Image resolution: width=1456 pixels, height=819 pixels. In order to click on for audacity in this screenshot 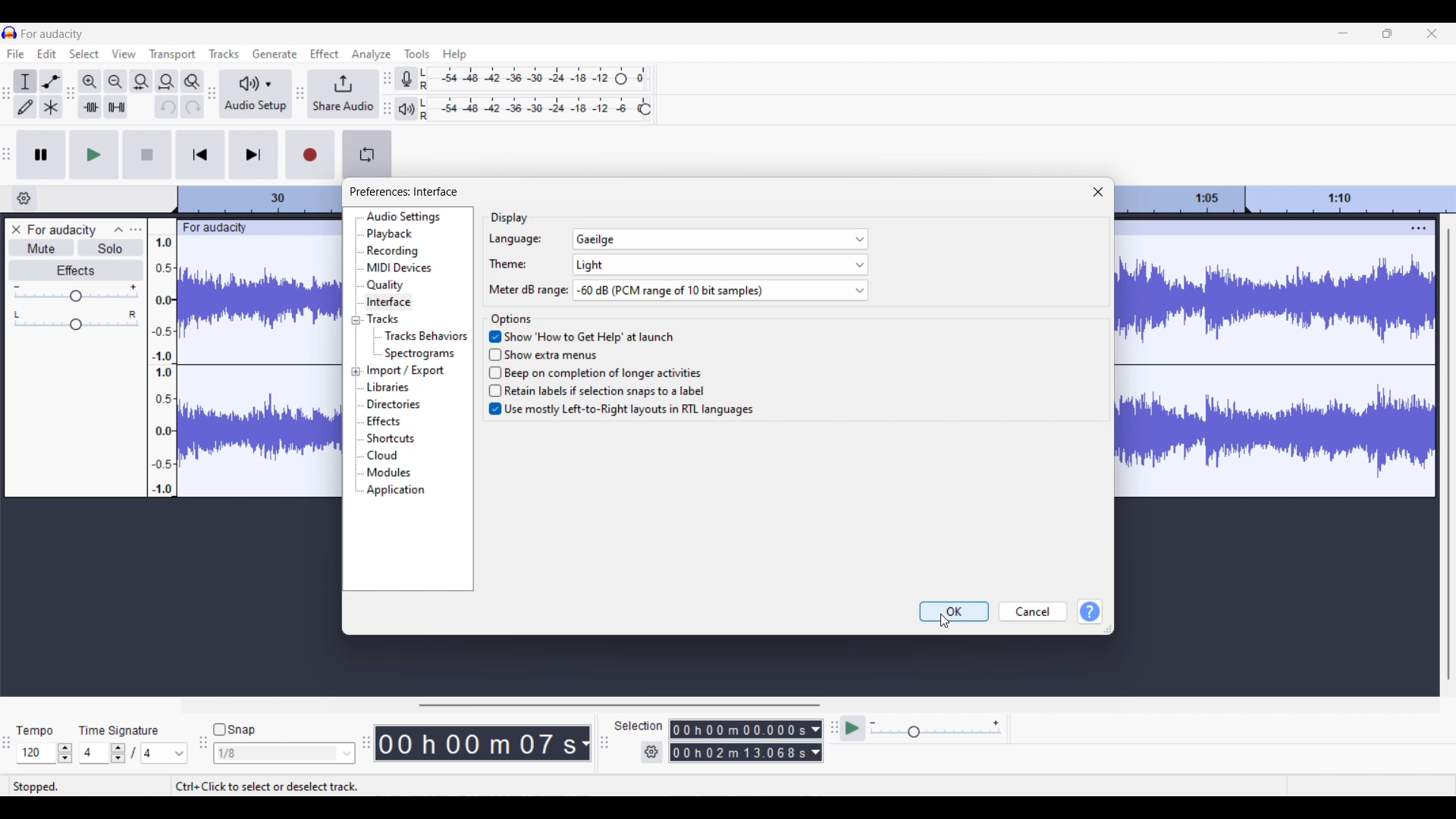, I will do `click(62, 231)`.